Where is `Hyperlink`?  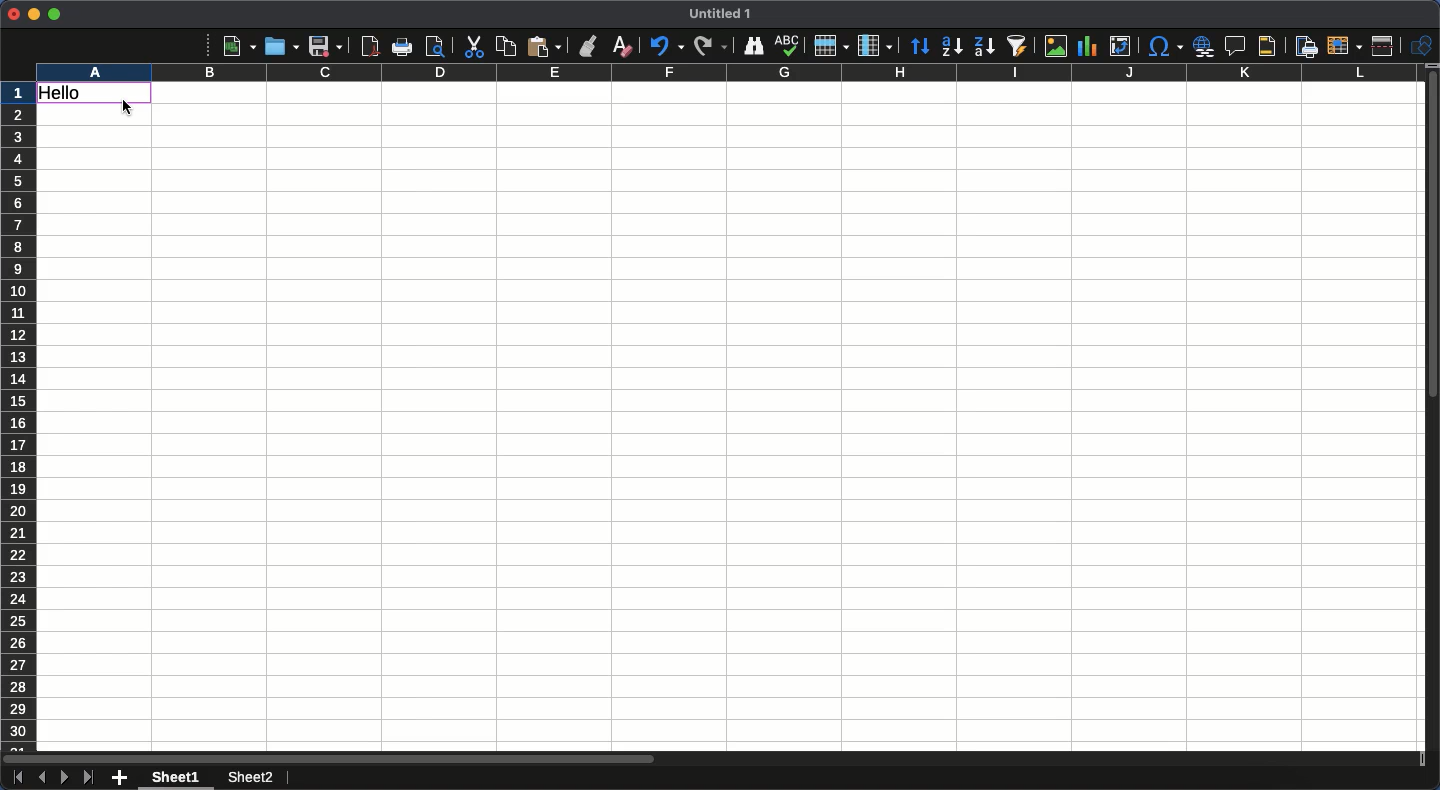 Hyperlink is located at coordinates (1205, 46).